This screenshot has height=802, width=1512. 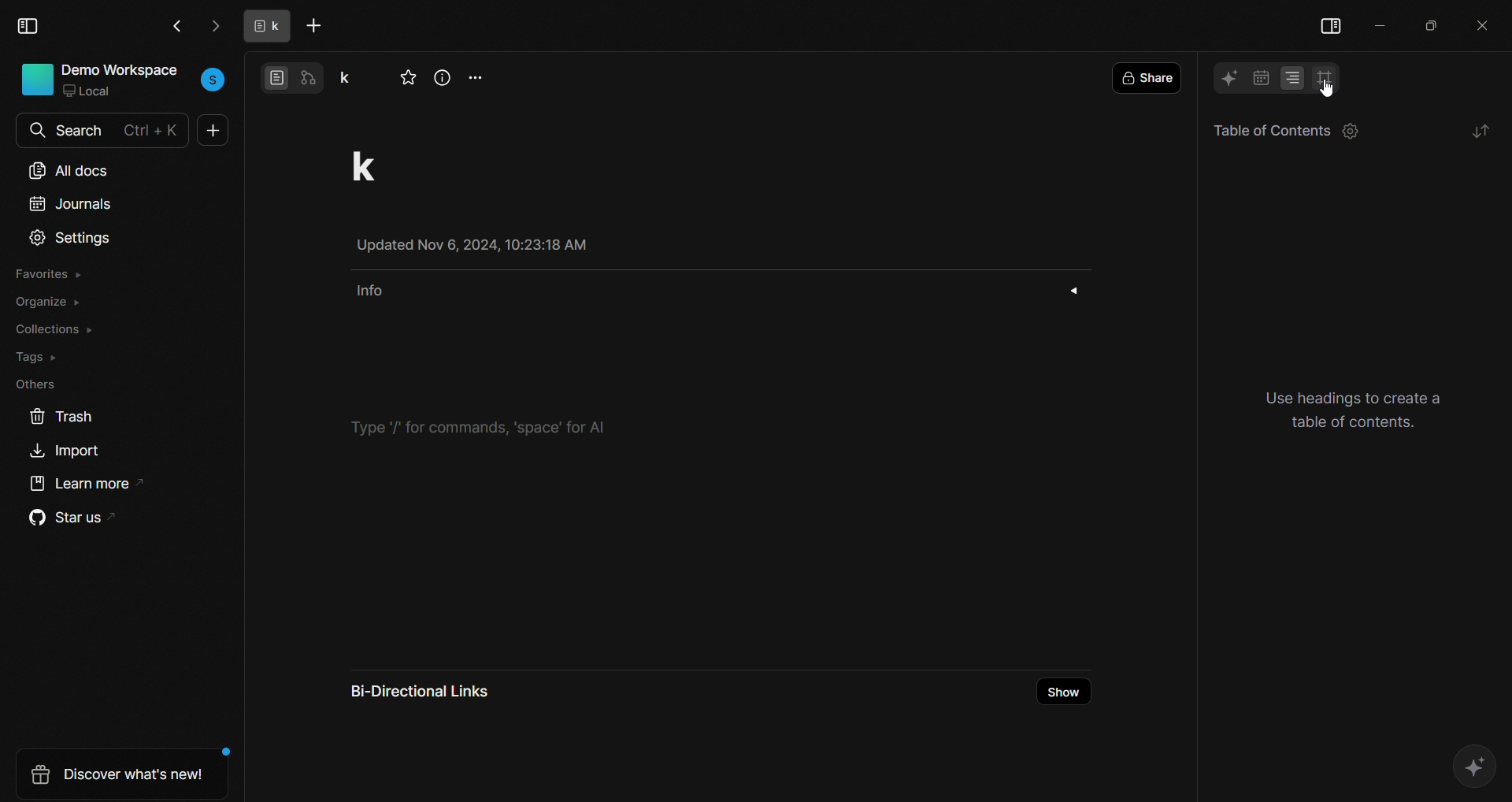 I want to click on search, so click(x=35, y=131).